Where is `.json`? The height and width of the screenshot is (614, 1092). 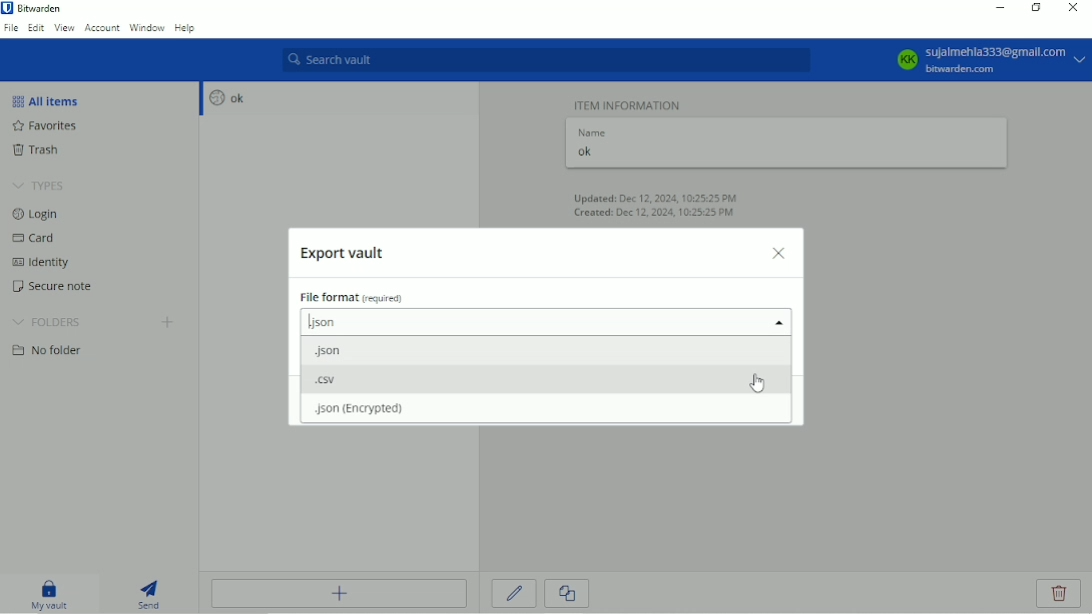
.json is located at coordinates (546, 323).